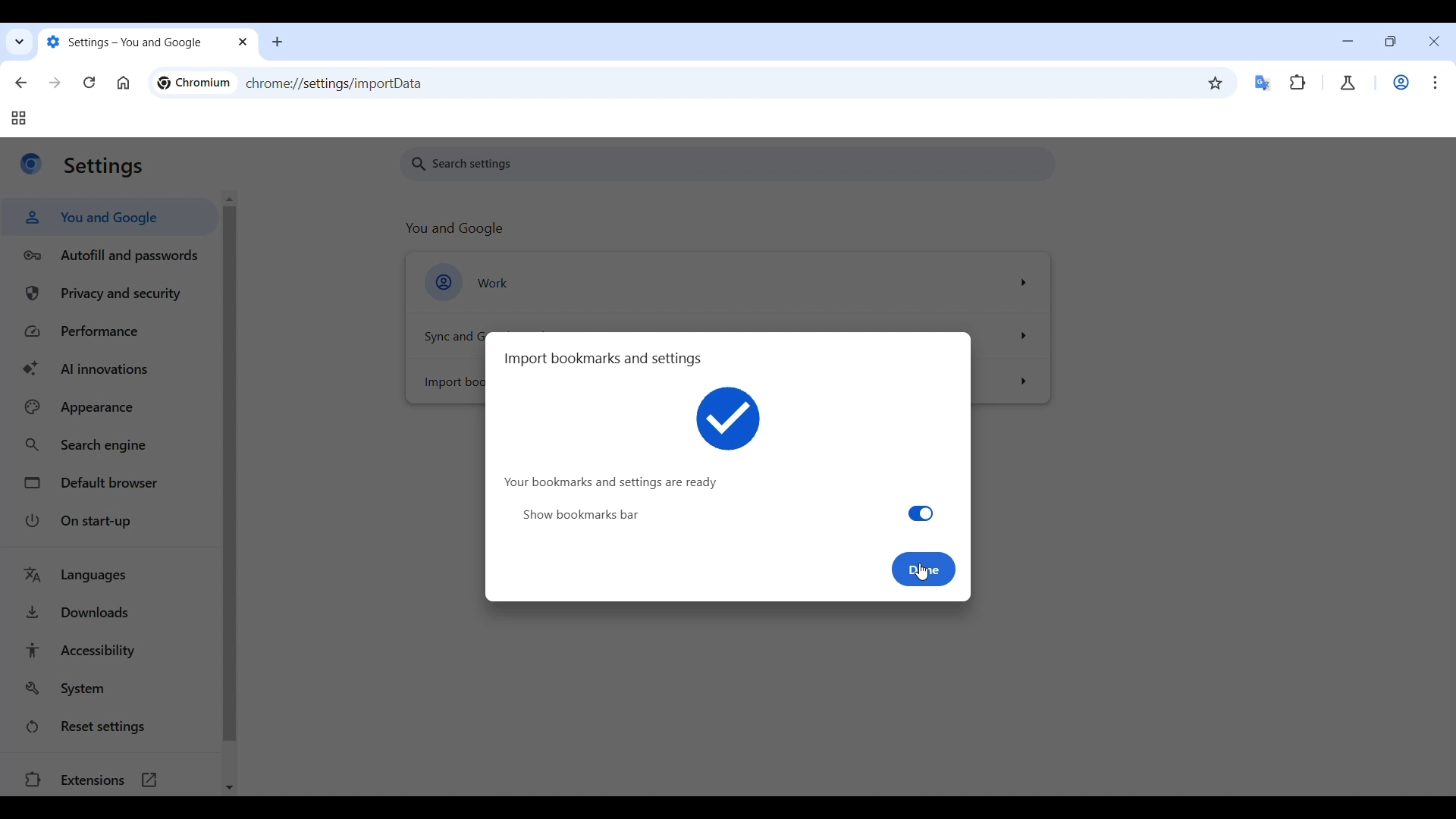  I want to click on done, so click(923, 570).